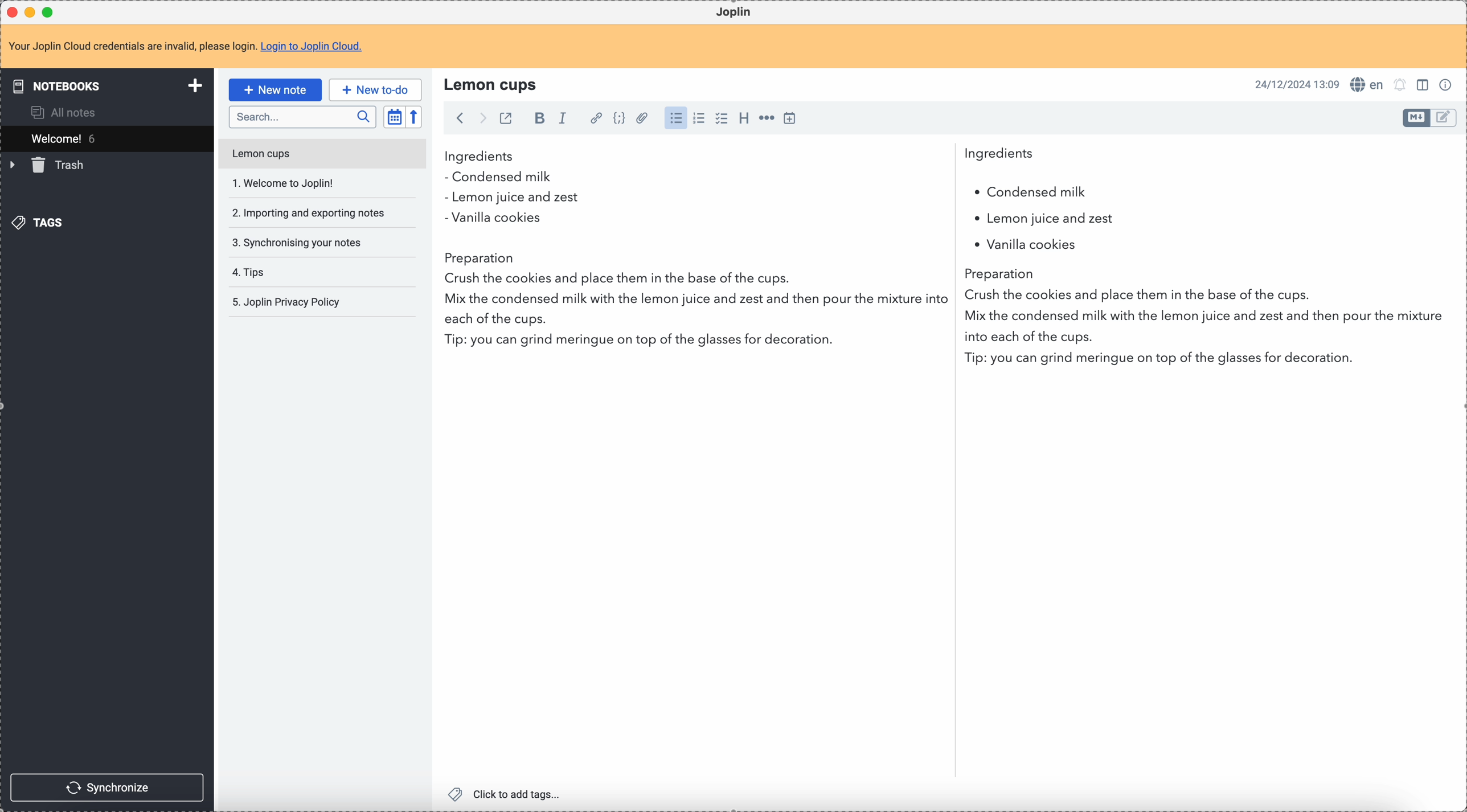  What do you see at coordinates (49, 165) in the screenshot?
I see `trash` at bounding box center [49, 165].